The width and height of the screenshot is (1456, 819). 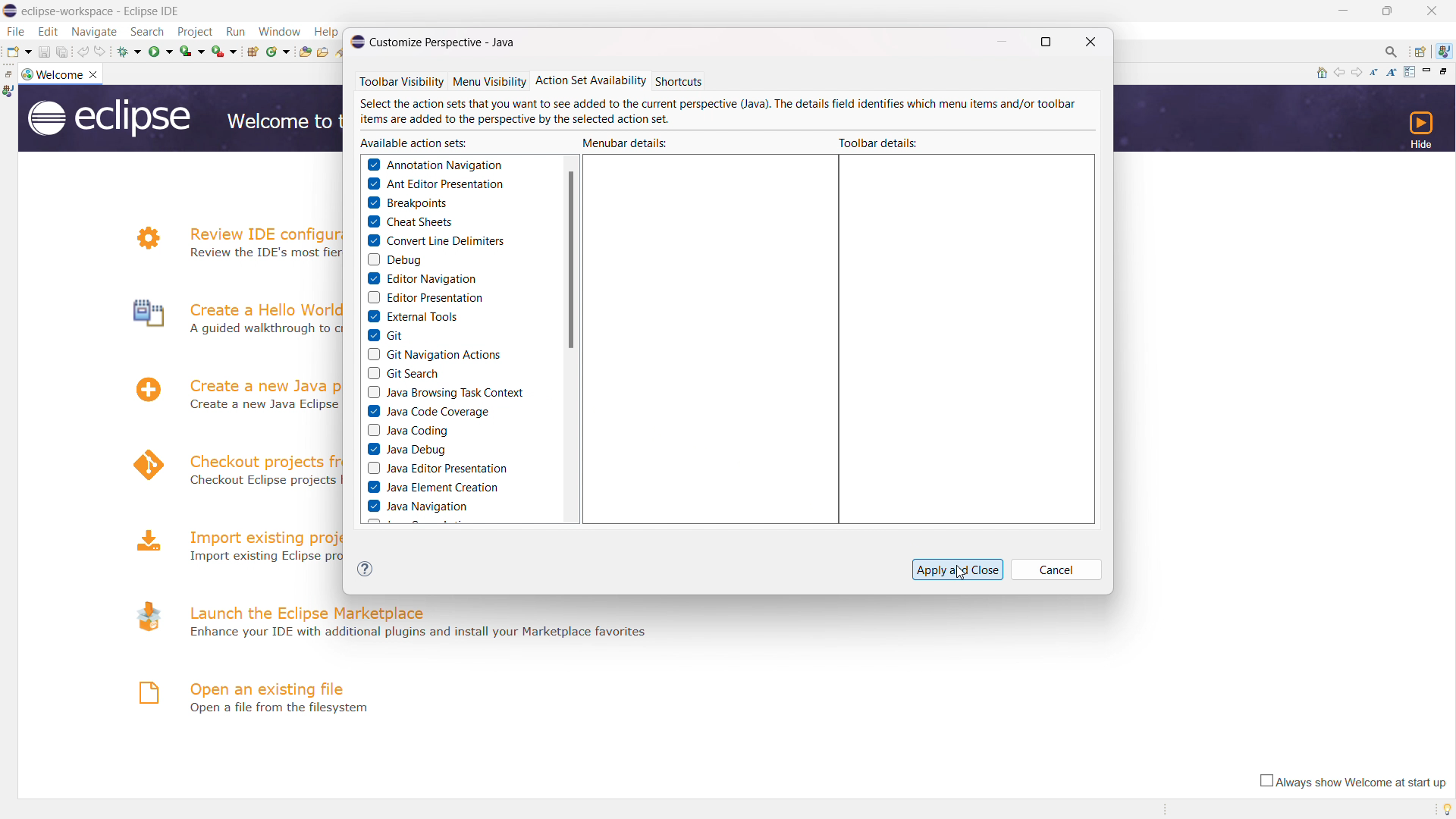 What do you see at coordinates (1433, 11) in the screenshot?
I see `close` at bounding box center [1433, 11].